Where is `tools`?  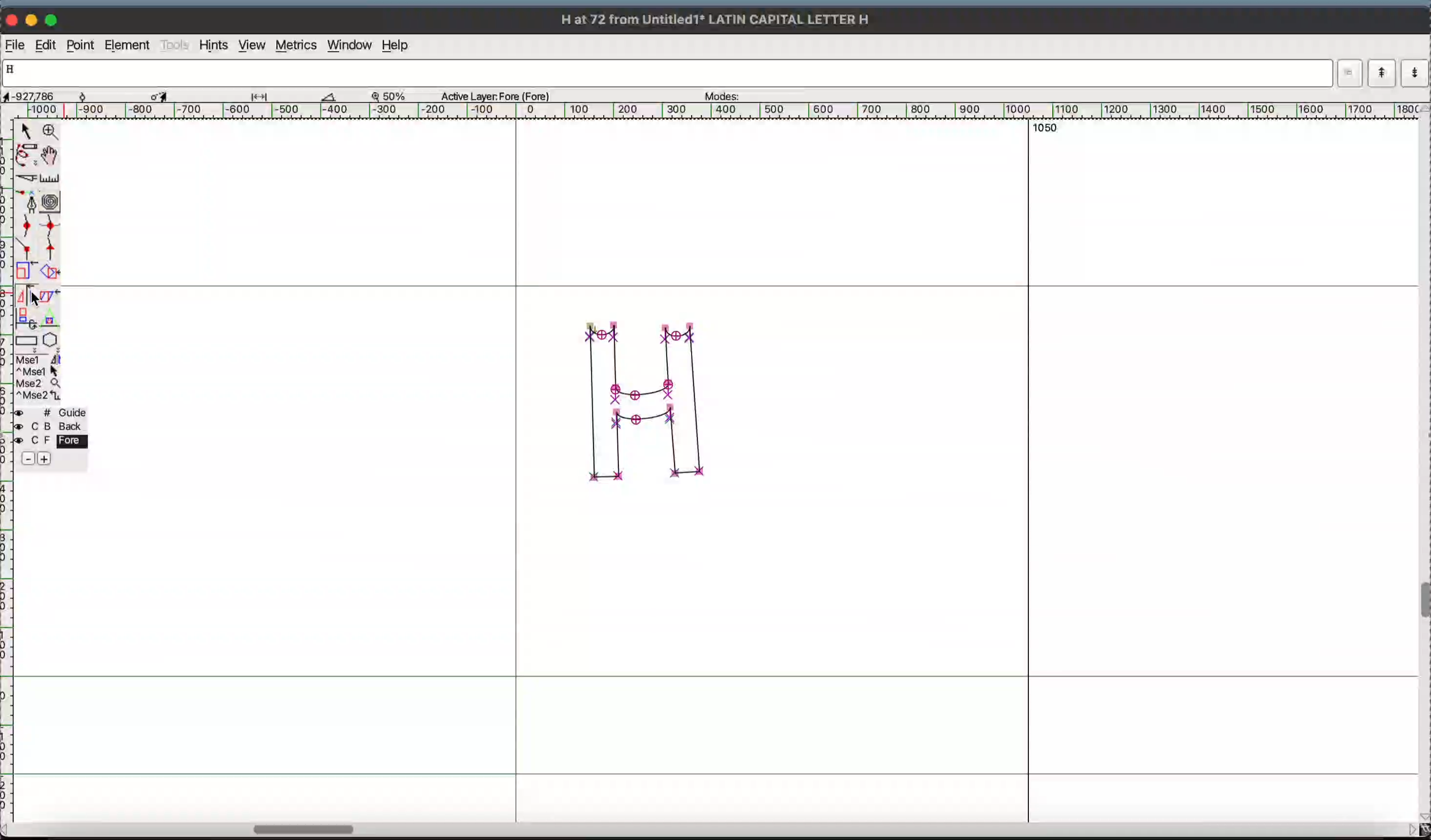 tools is located at coordinates (172, 45).